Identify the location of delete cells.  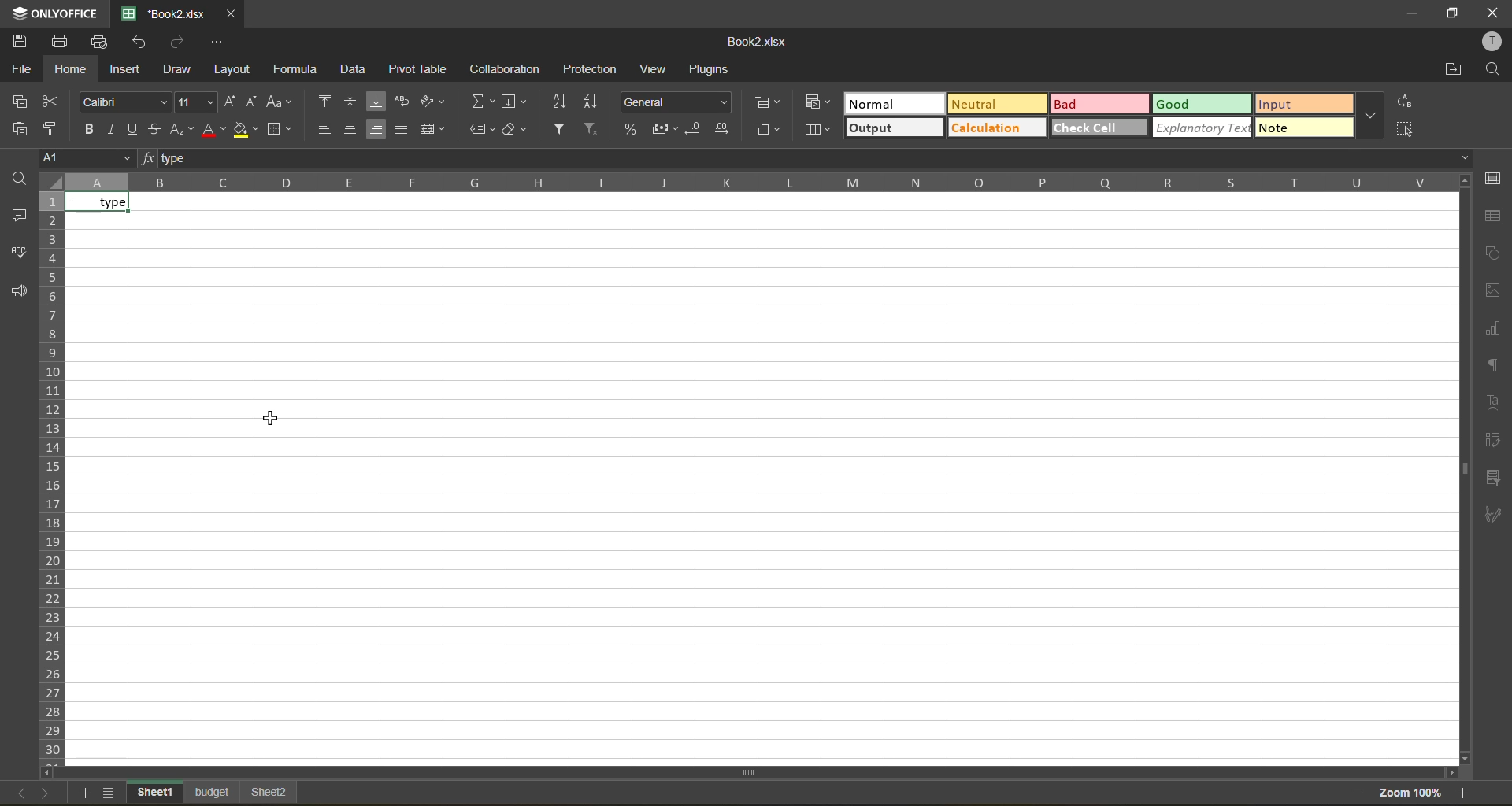
(769, 129).